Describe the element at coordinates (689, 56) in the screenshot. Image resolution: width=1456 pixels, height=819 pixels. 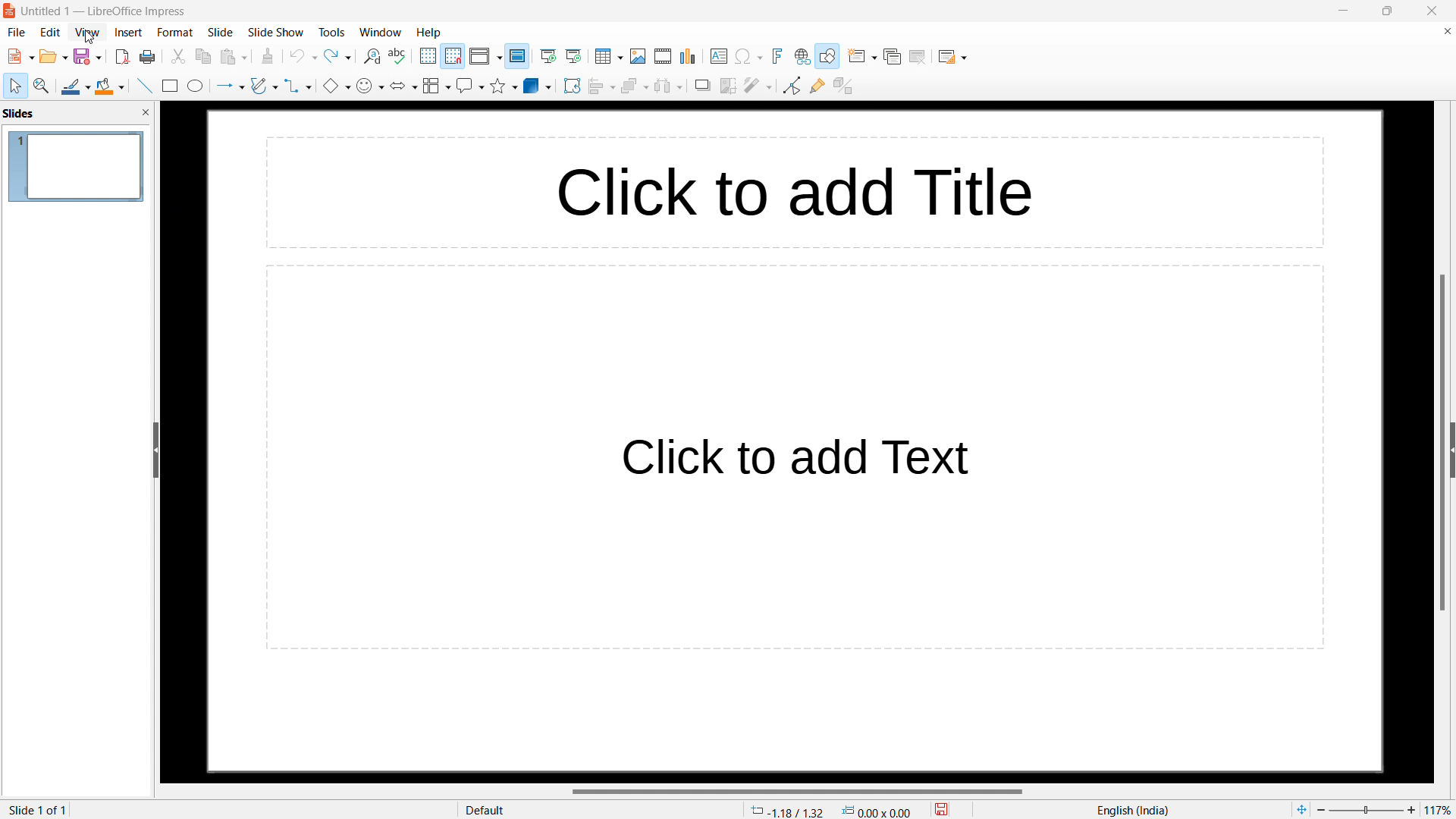
I see `insert chart` at that location.